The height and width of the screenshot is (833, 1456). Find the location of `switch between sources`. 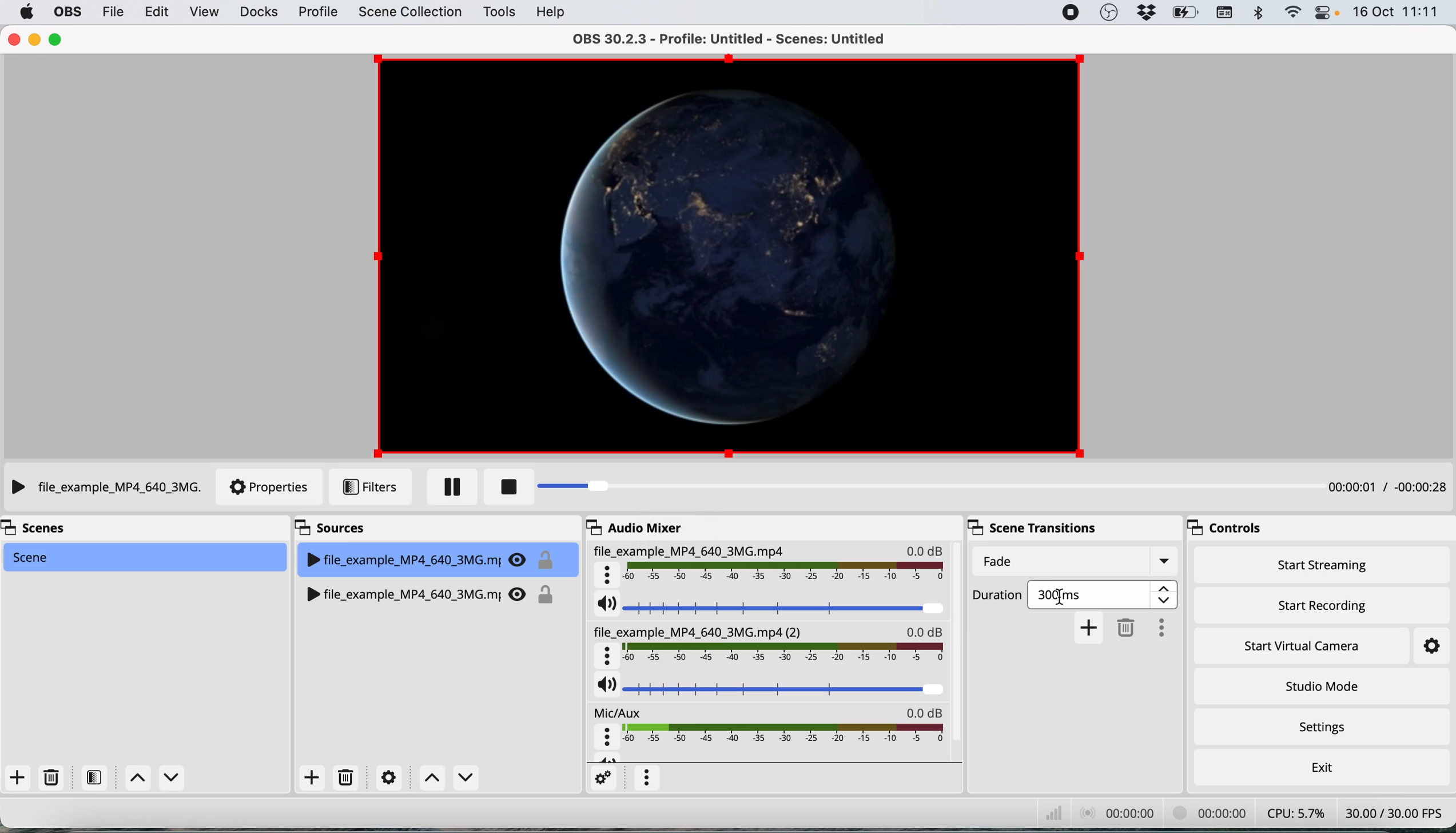

switch between sources is located at coordinates (447, 779).